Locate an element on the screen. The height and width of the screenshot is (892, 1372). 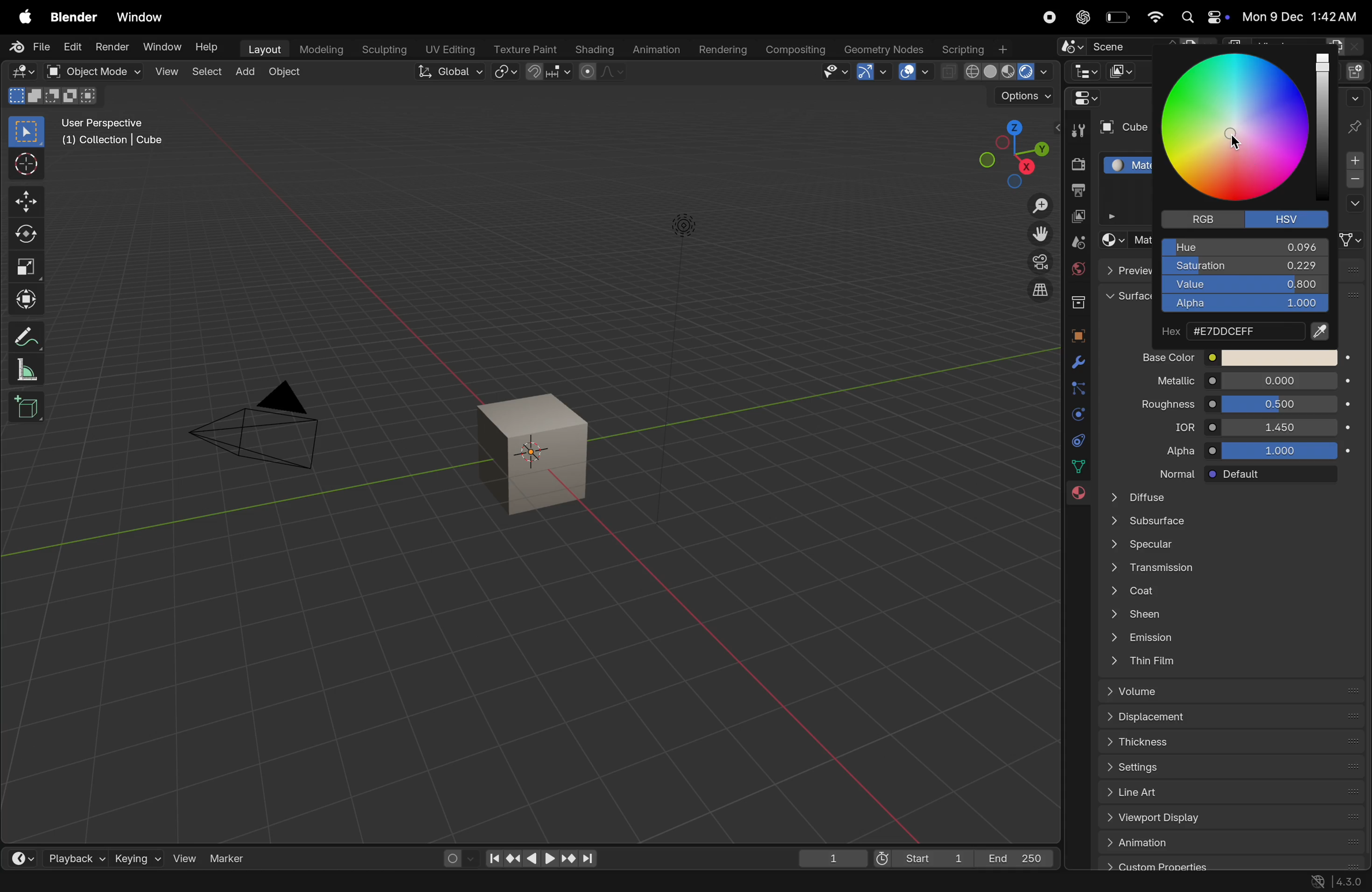
animation is located at coordinates (1230, 842).